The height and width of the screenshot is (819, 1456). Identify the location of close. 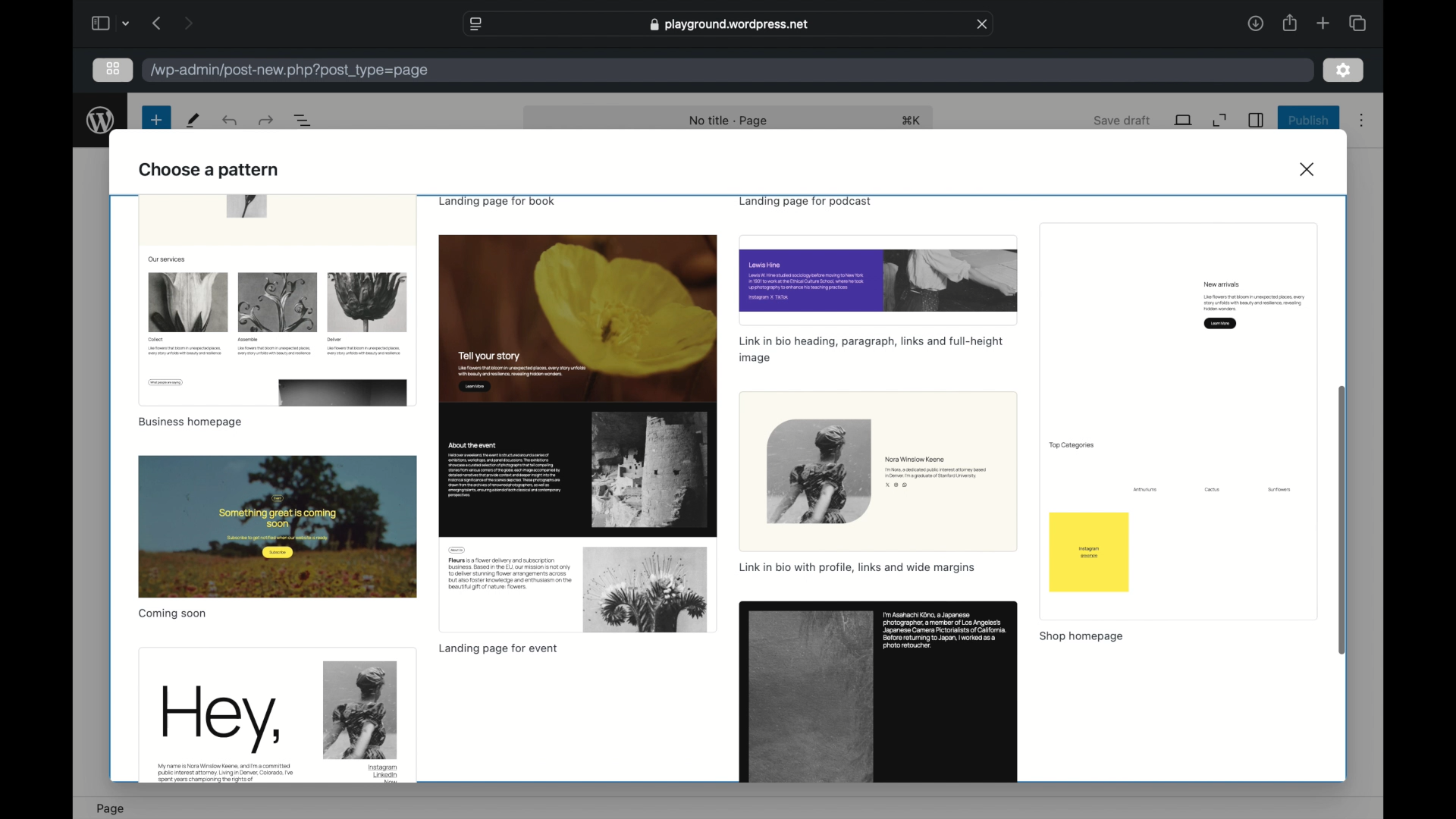
(1309, 169).